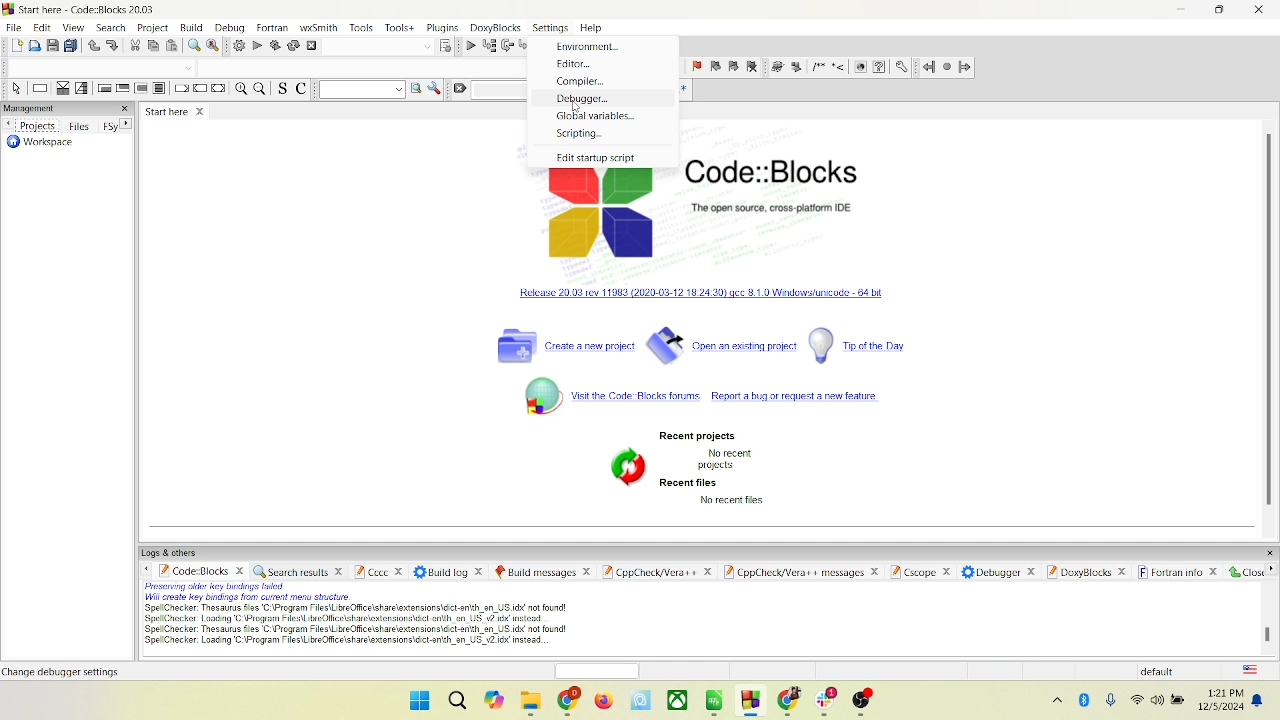 Image resolution: width=1280 pixels, height=720 pixels. Describe the element at coordinates (76, 27) in the screenshot. I see `view` at that location.